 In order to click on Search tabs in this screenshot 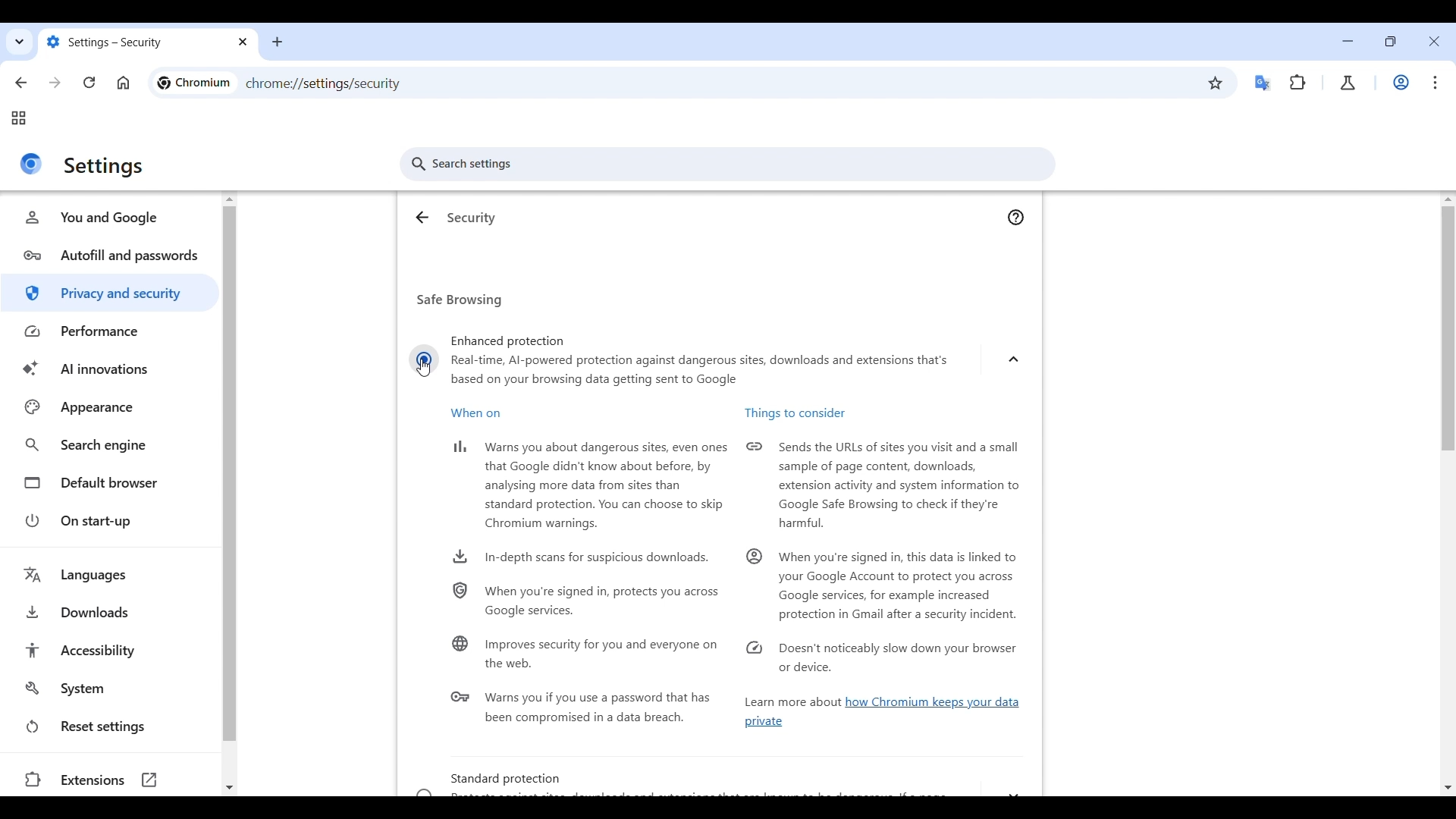, I will do `click(18, 39)`.